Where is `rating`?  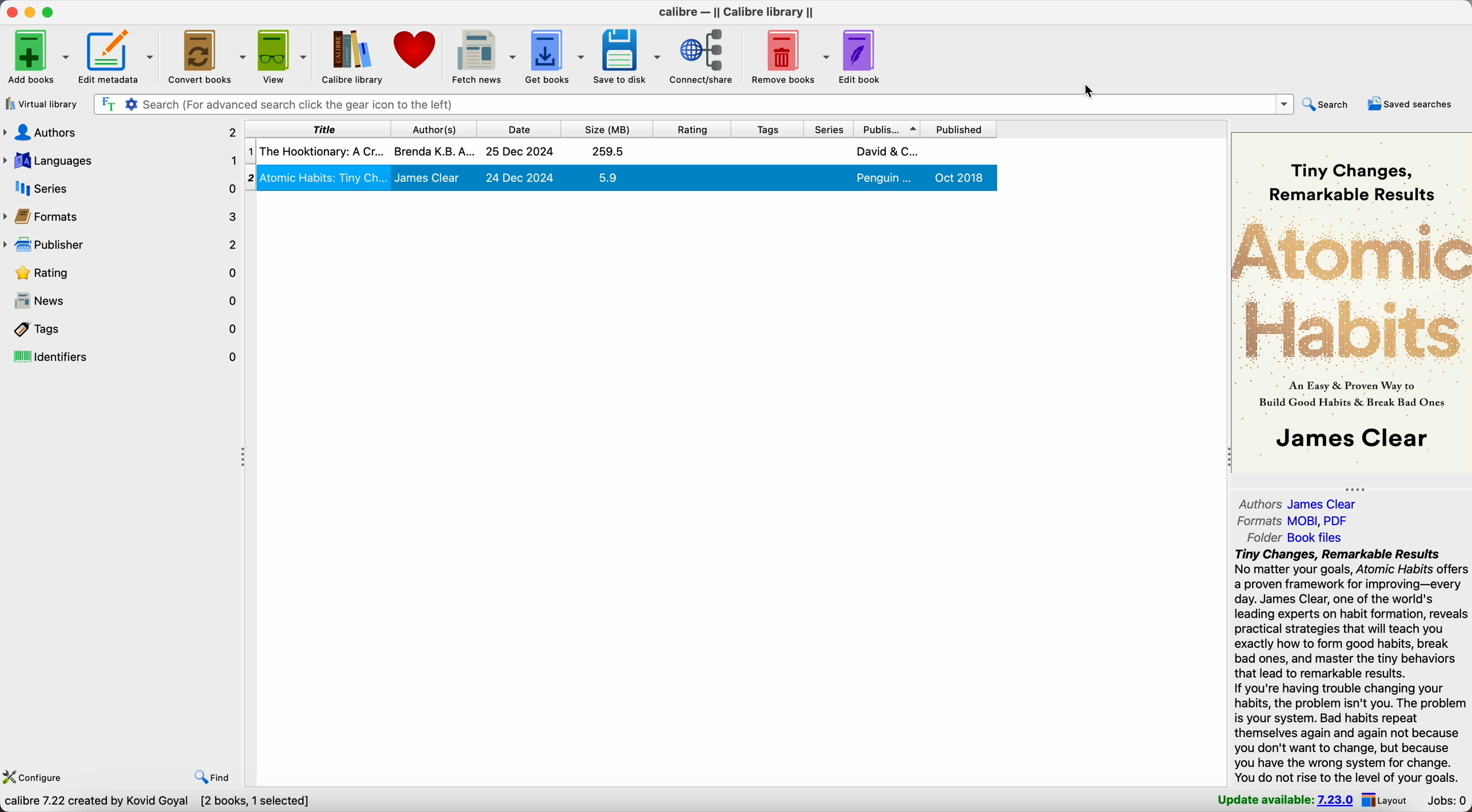 rating is located at coordinates (122, 272).